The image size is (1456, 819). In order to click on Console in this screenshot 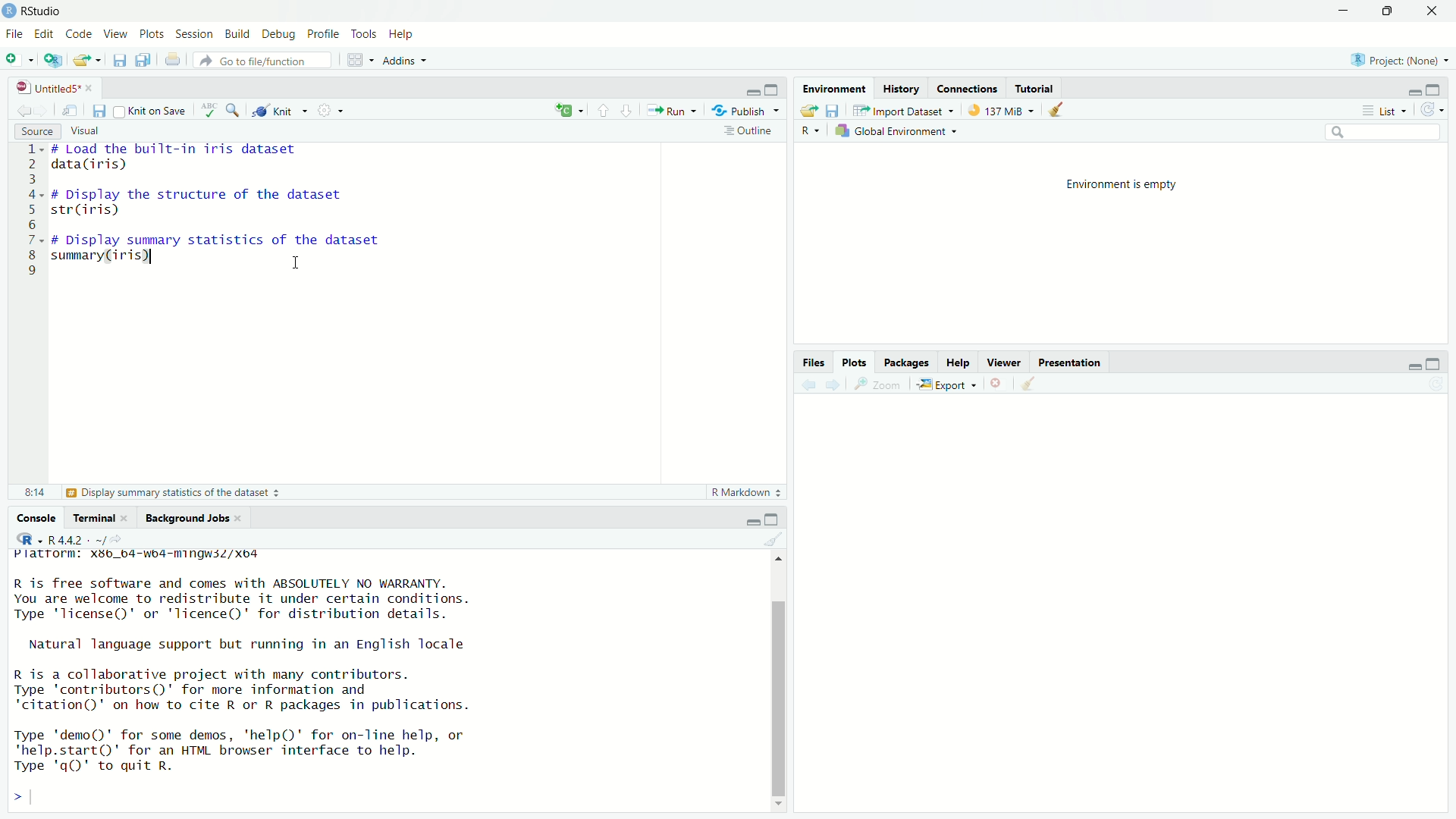, I will do `click(35, 518)`.